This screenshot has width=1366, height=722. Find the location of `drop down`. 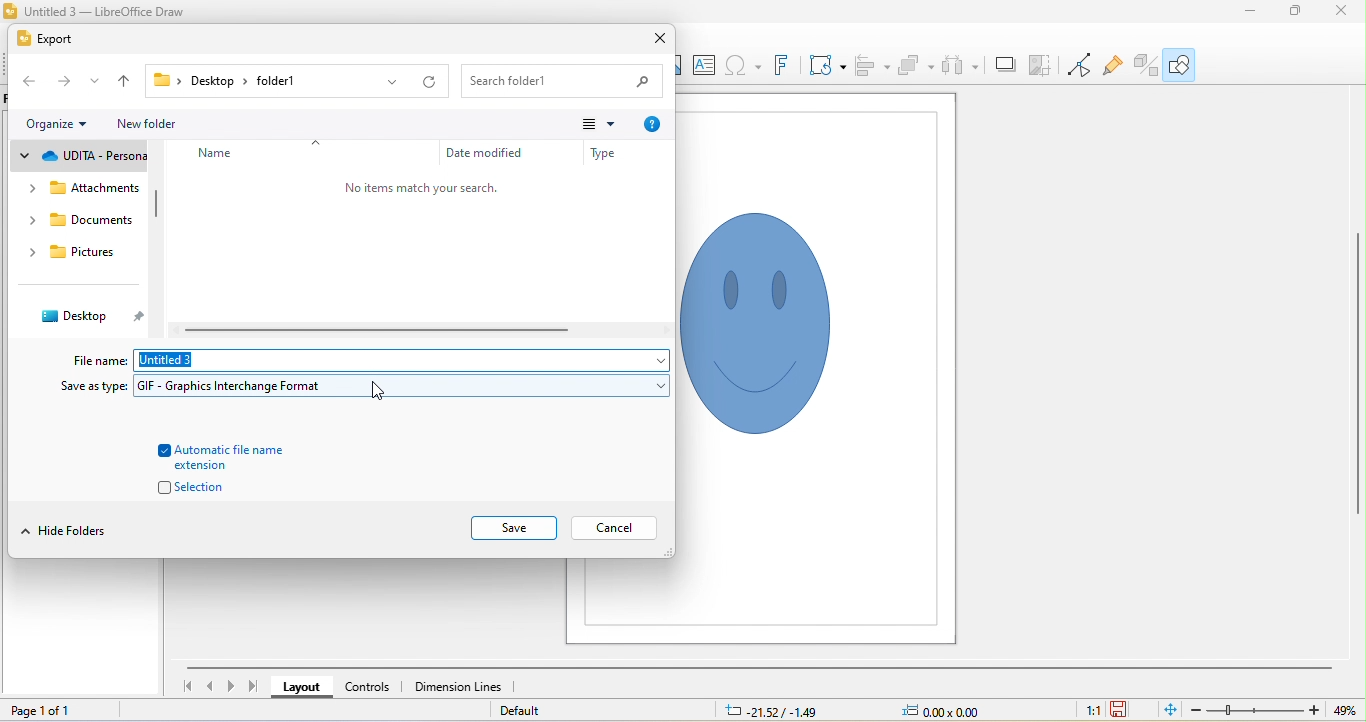

drop down is located at coordinates (35, 253).